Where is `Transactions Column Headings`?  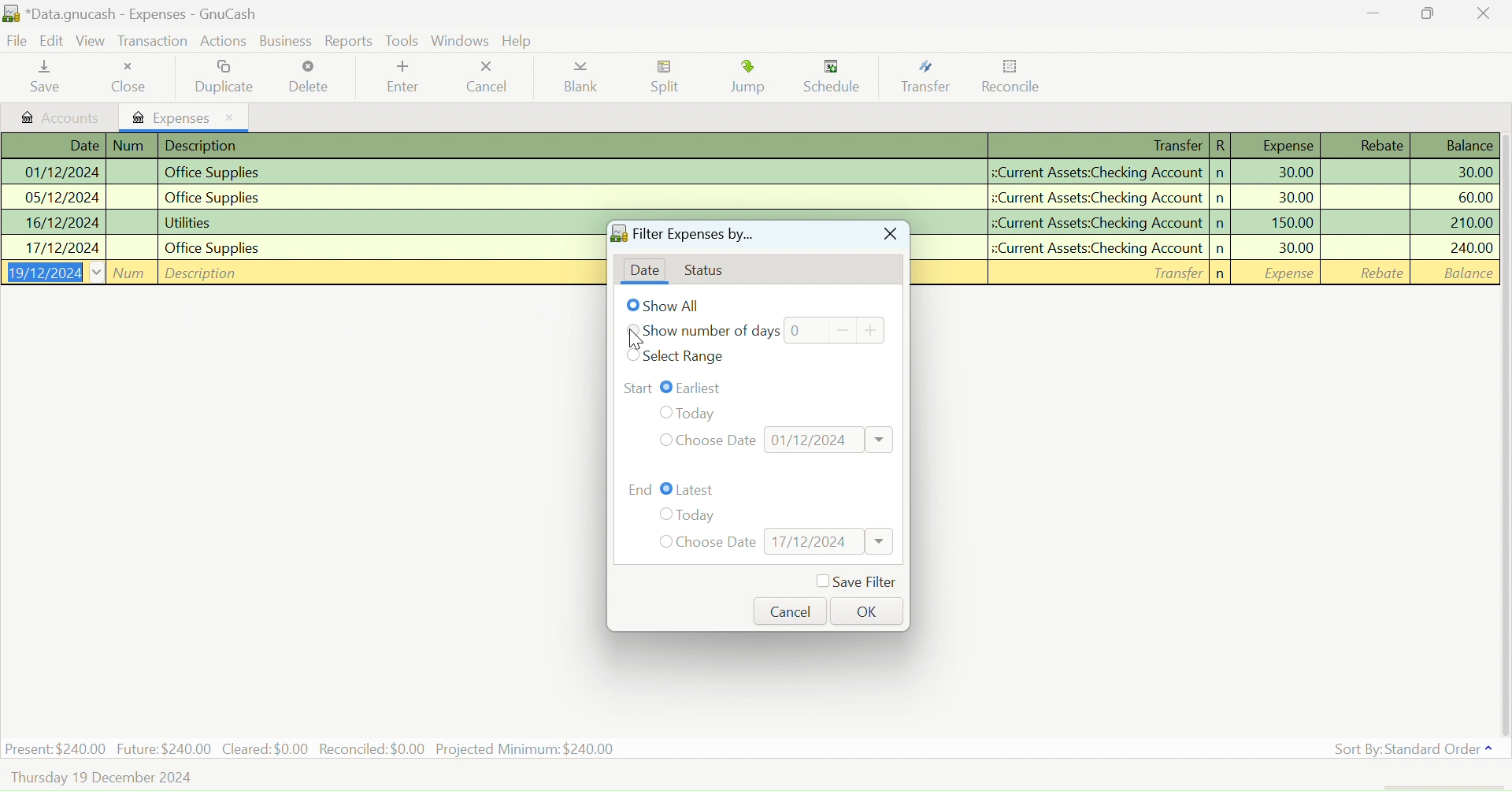
Transactions Column Headings is located at coordinates (747, 146).